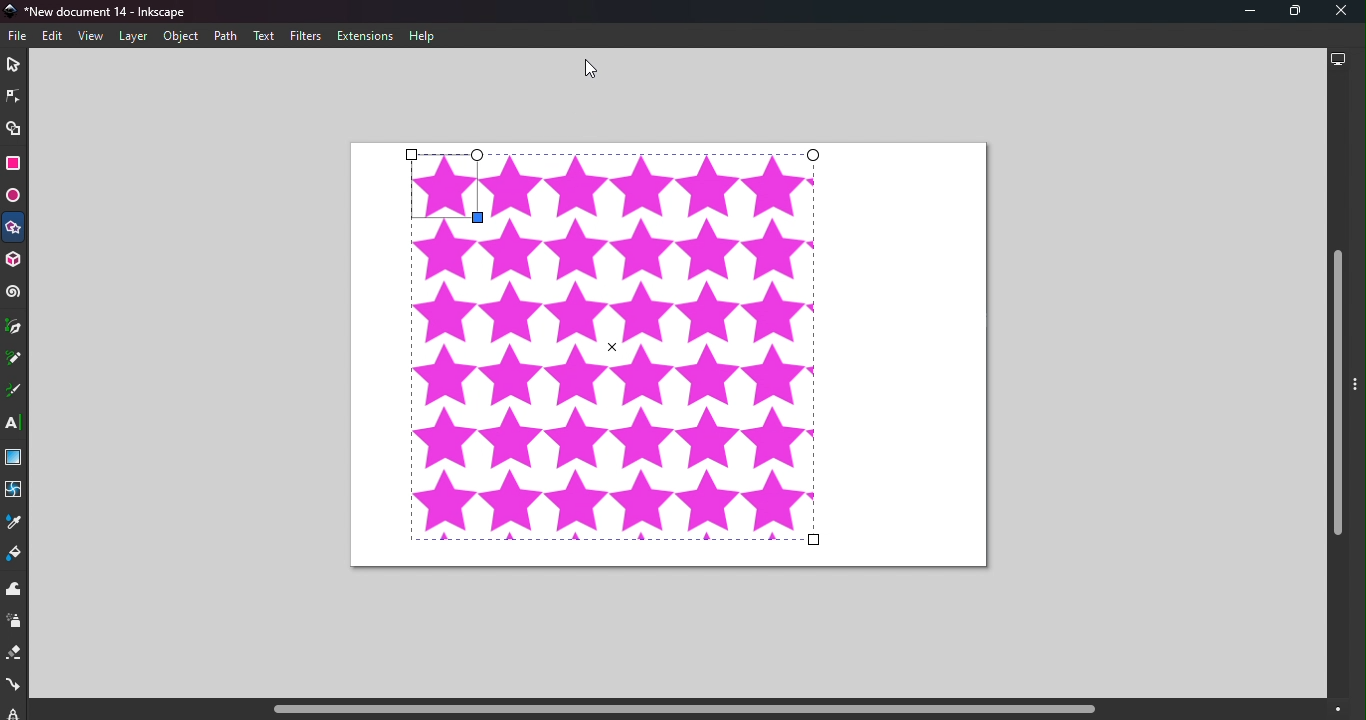  Describe the element at coordinates (1342, 12) in the screenshot. I see `Close` at that location.